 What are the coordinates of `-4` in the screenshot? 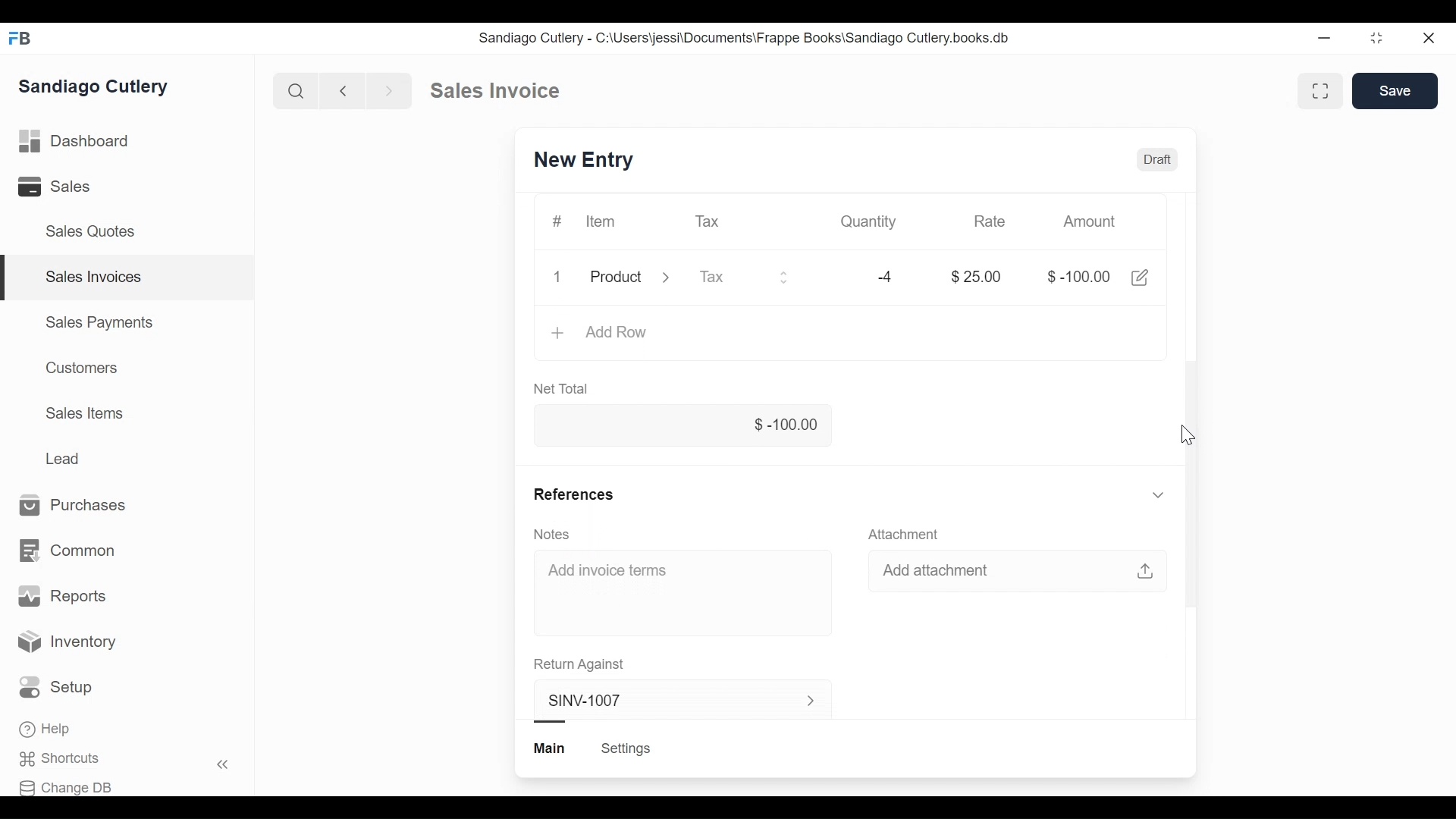 It's located at (886, 276).